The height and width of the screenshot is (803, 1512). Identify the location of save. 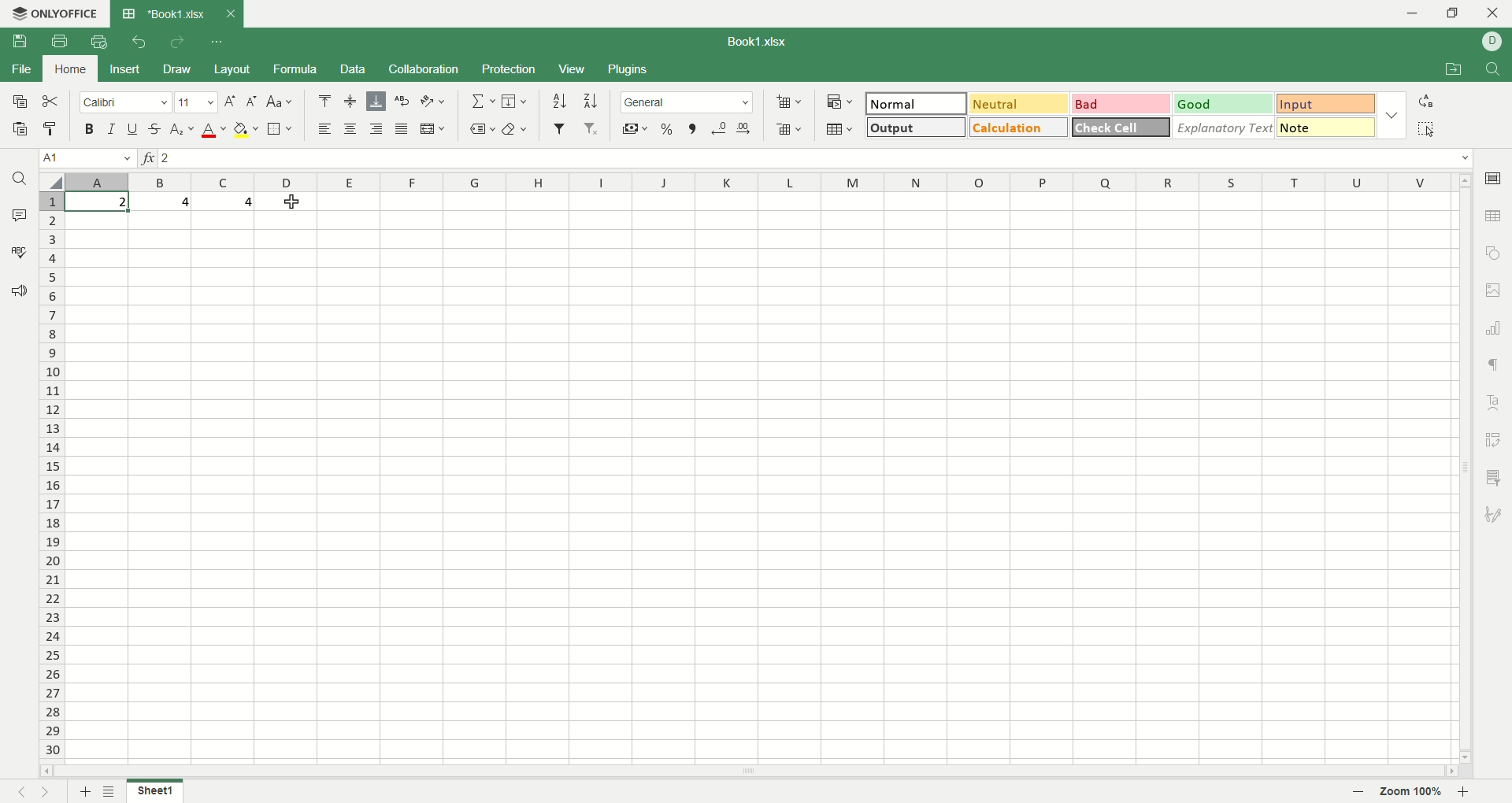
(20, 102).